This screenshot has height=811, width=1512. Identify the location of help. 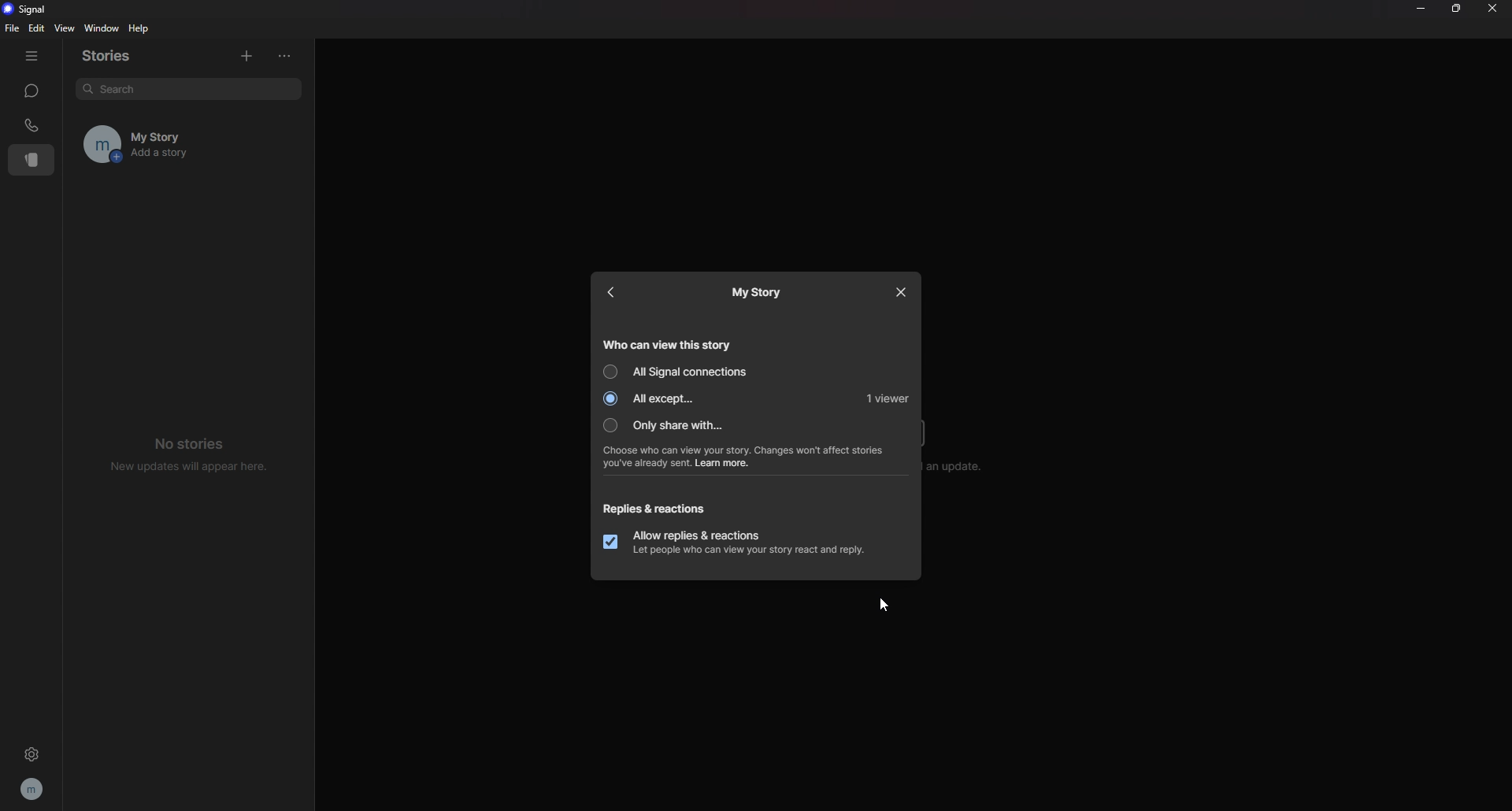
(140, 28).